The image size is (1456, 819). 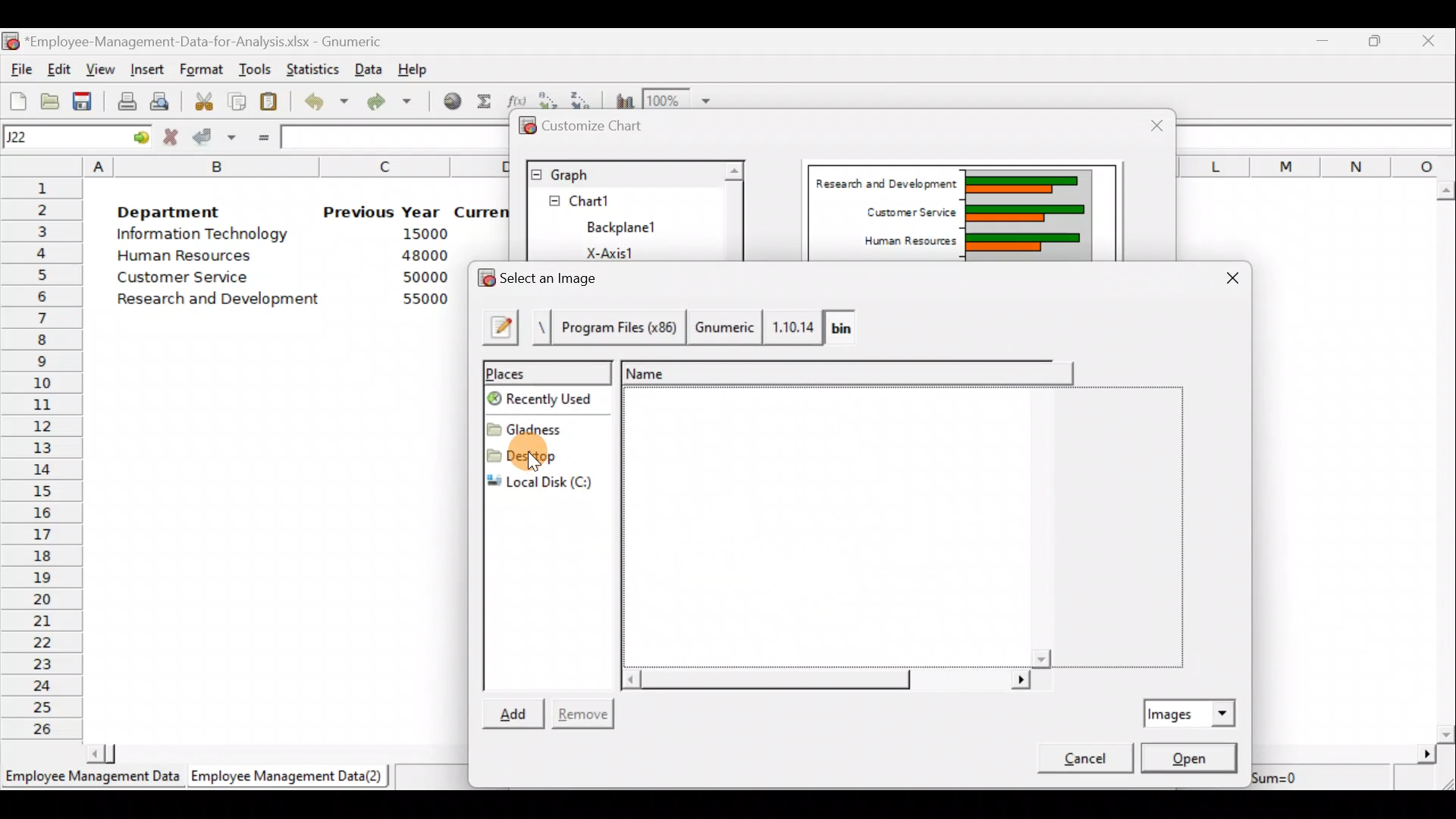 What do you see at coordinates (1432, 40) in the screenshot?
I see `Close` at bounding box center [1432, 40].